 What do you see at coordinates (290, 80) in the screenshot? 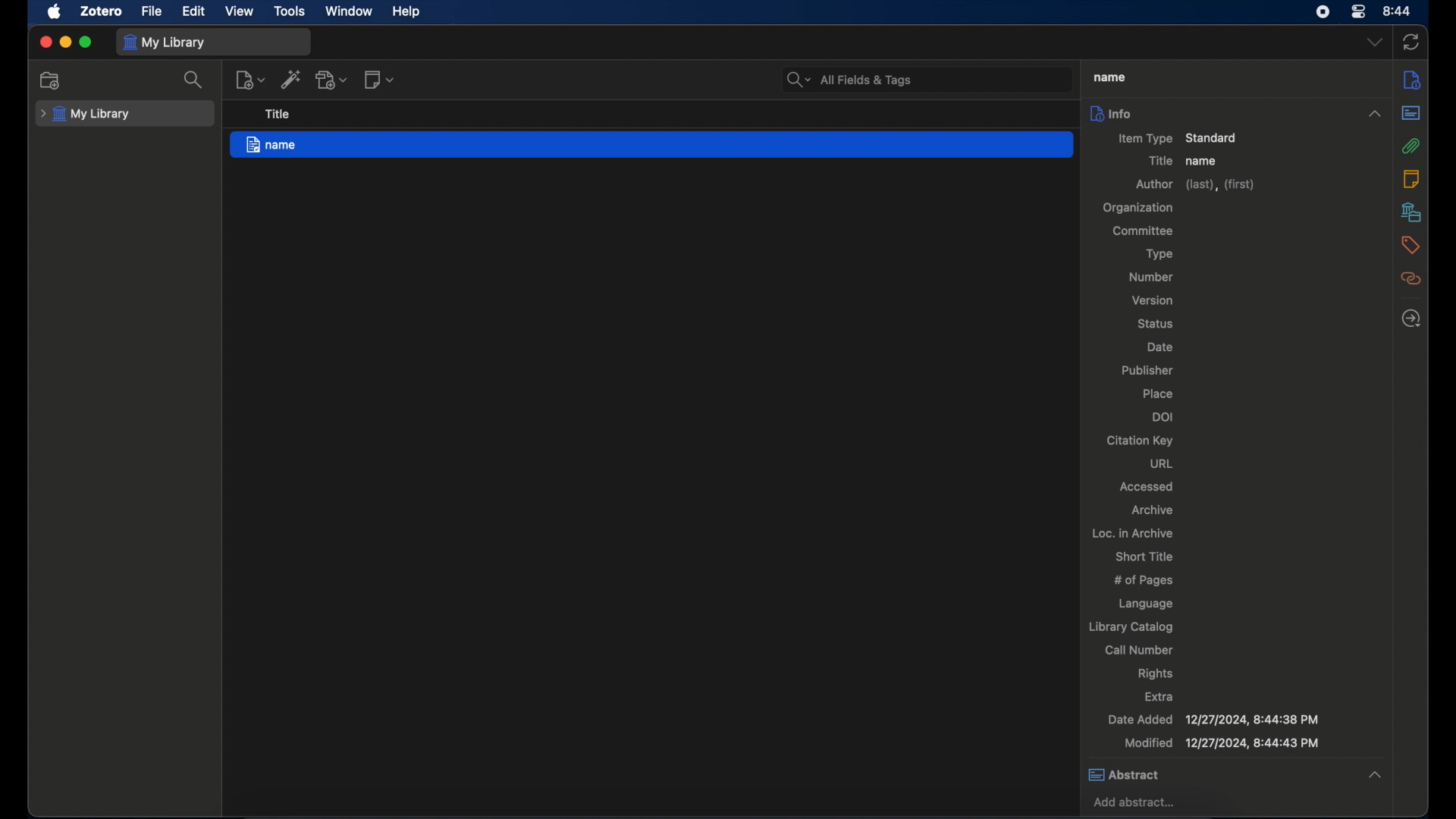
I see `add item by identifier` at bounding box center [290, 80].